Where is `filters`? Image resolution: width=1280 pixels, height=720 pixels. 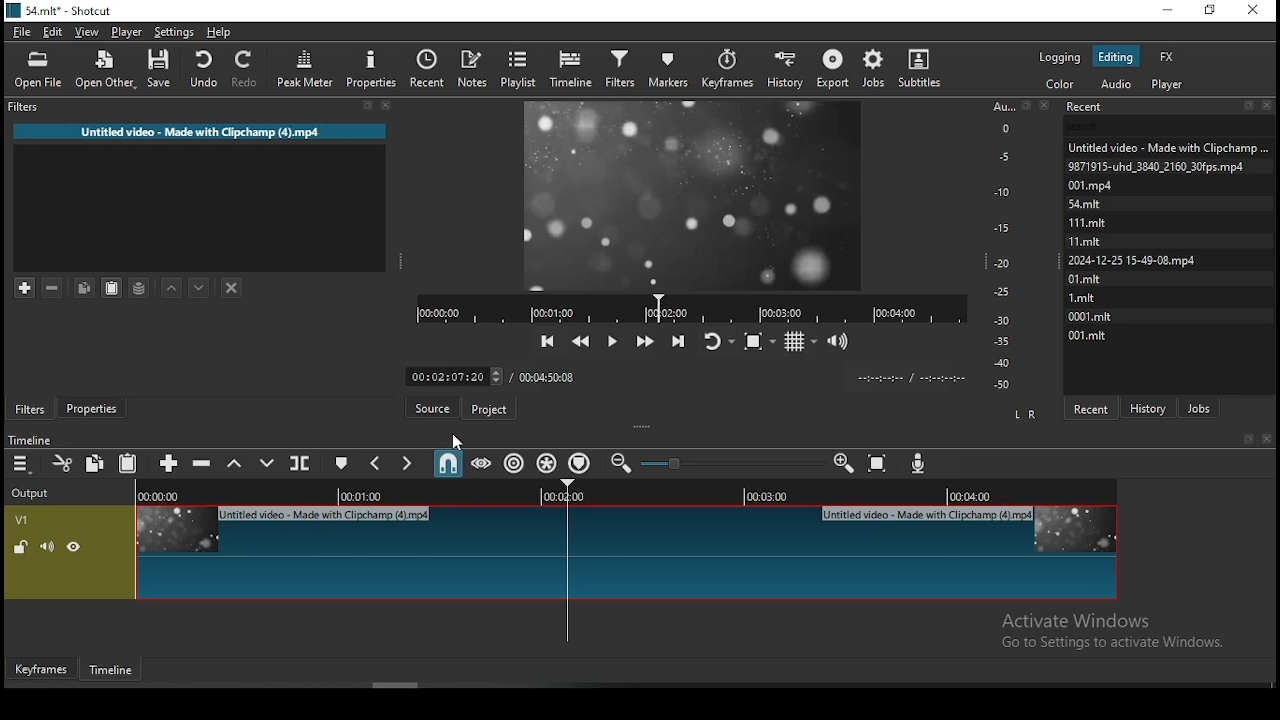
filters is located at coordinates (621, 63).